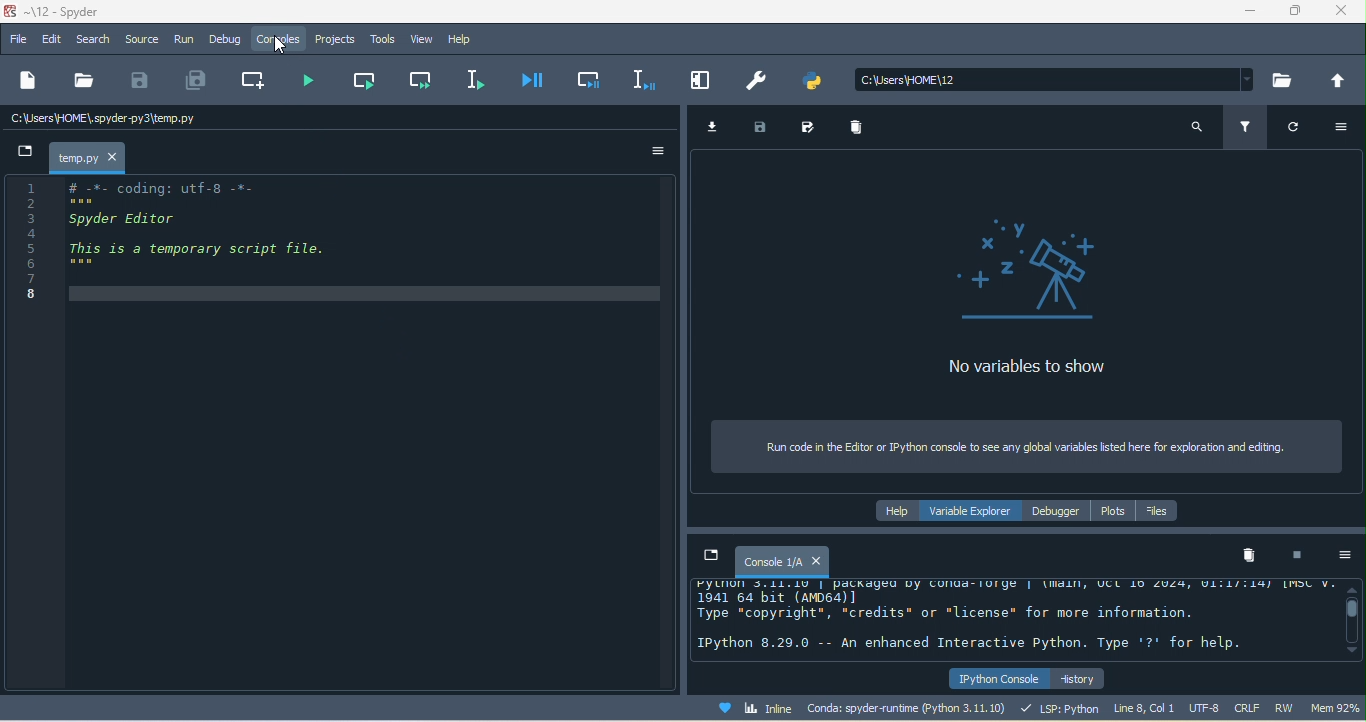  Describe the element at coordinates (811, 128) in the screenshot. I see `save data as` at that location.